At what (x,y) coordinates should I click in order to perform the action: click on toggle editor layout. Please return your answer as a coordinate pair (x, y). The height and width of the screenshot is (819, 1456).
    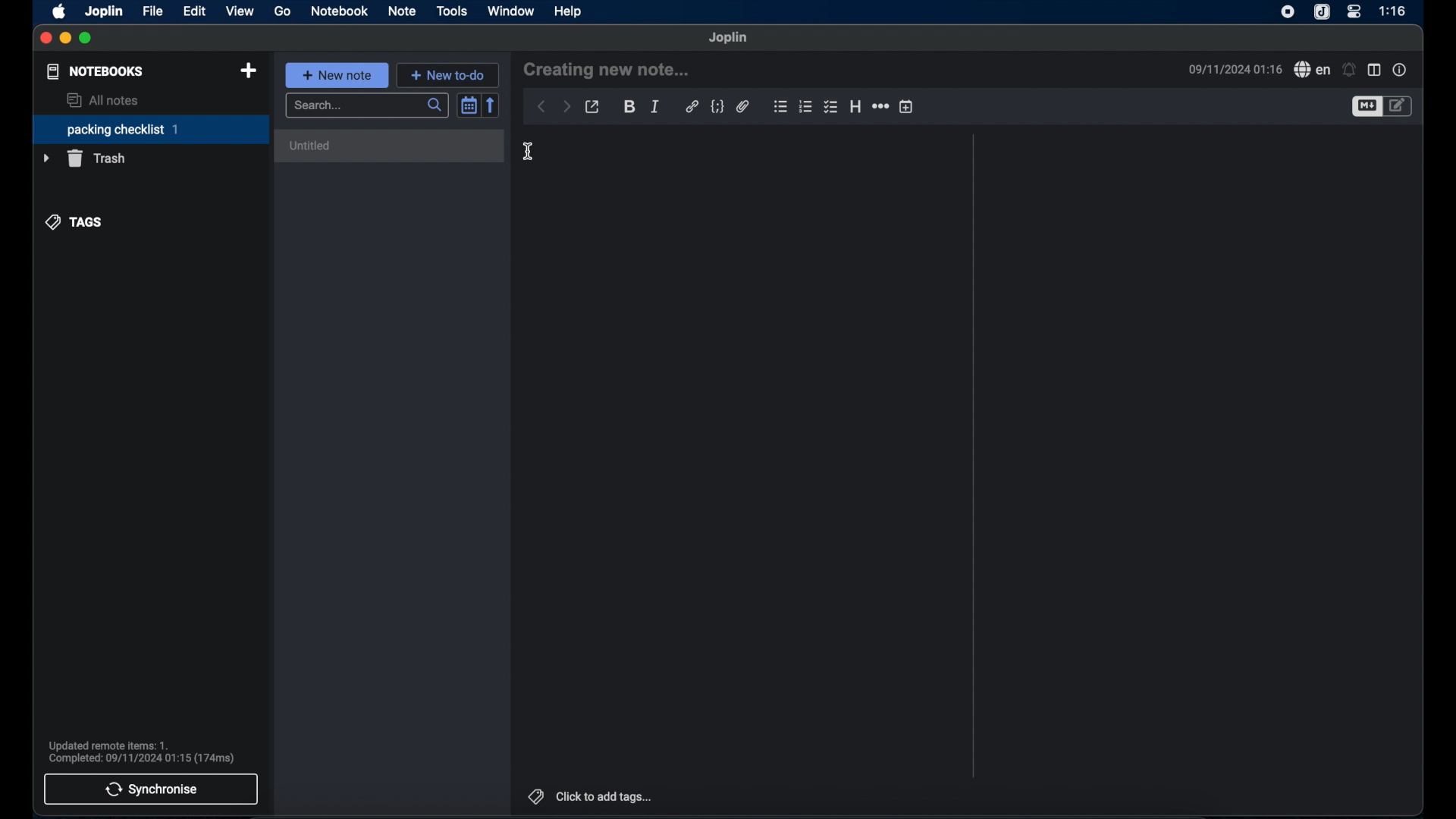
    Looking at the image, I should click on (1375, 69).